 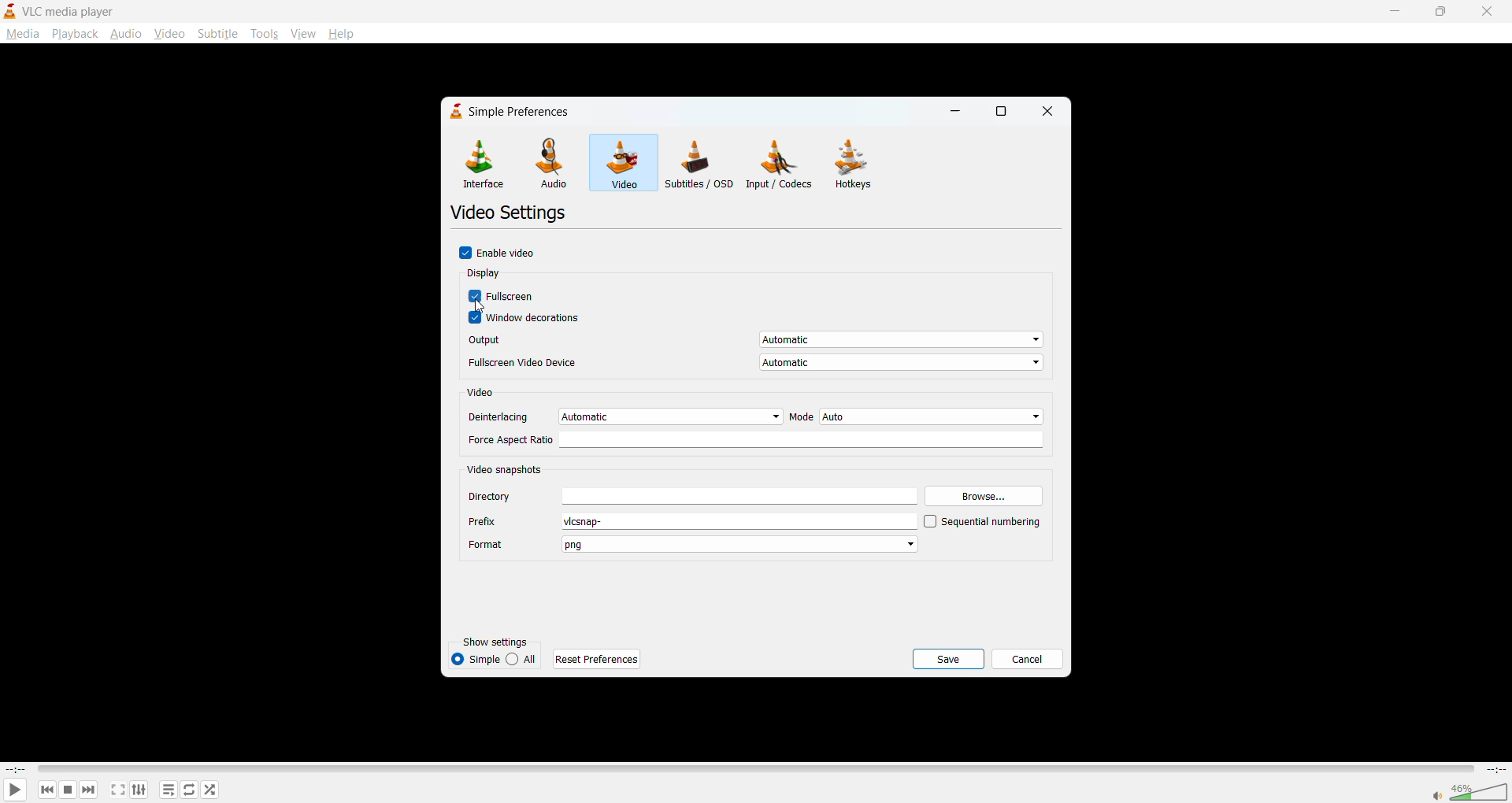 I want to click on cursor, so click(x=480, y=308).